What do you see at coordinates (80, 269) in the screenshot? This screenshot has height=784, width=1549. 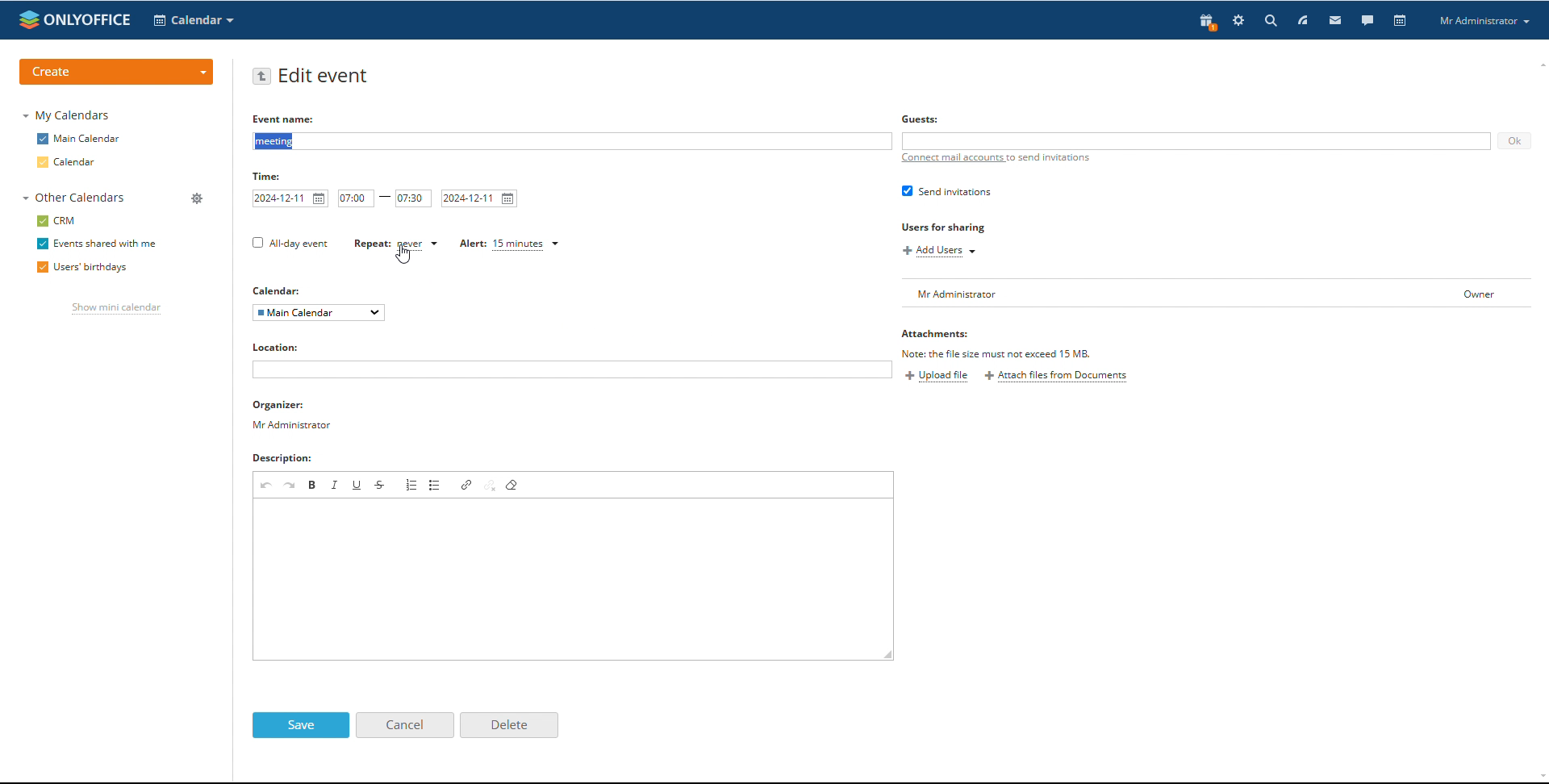 I see `users' birthdays` at bounding box center [80, 269].